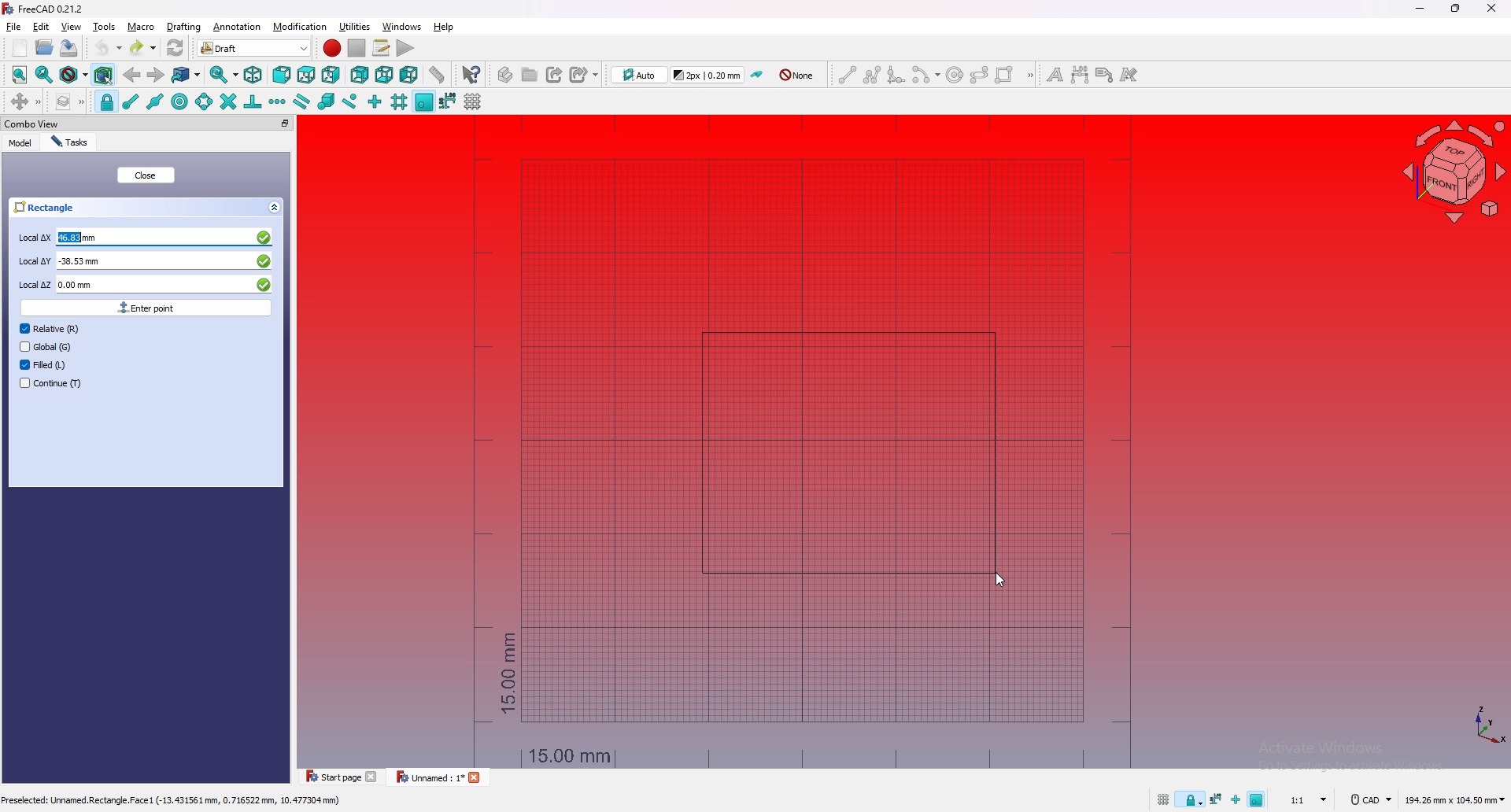 Image resolution: width=1511 pixels, height=812 pixels. I want to click on local Δy, so click(33, 261).